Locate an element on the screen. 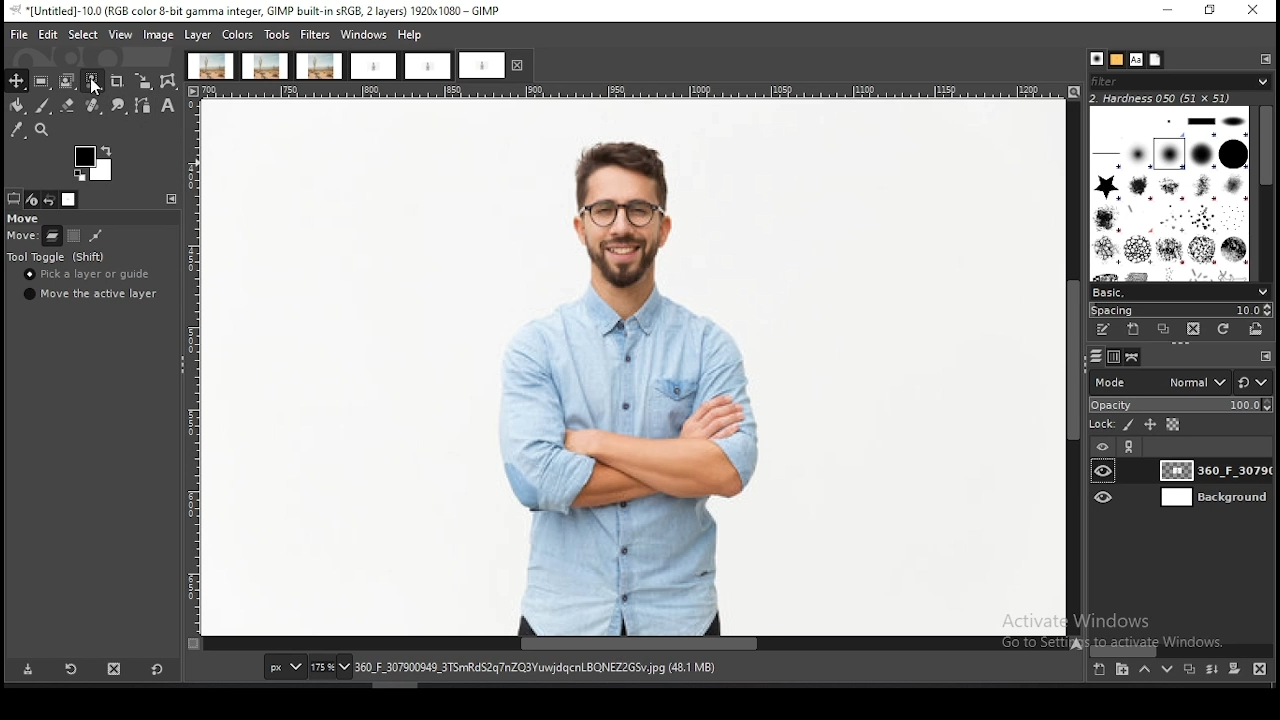 Image resolution: width=1280 pixels, height=720 pixels. images is located at coordinates (69, 200).